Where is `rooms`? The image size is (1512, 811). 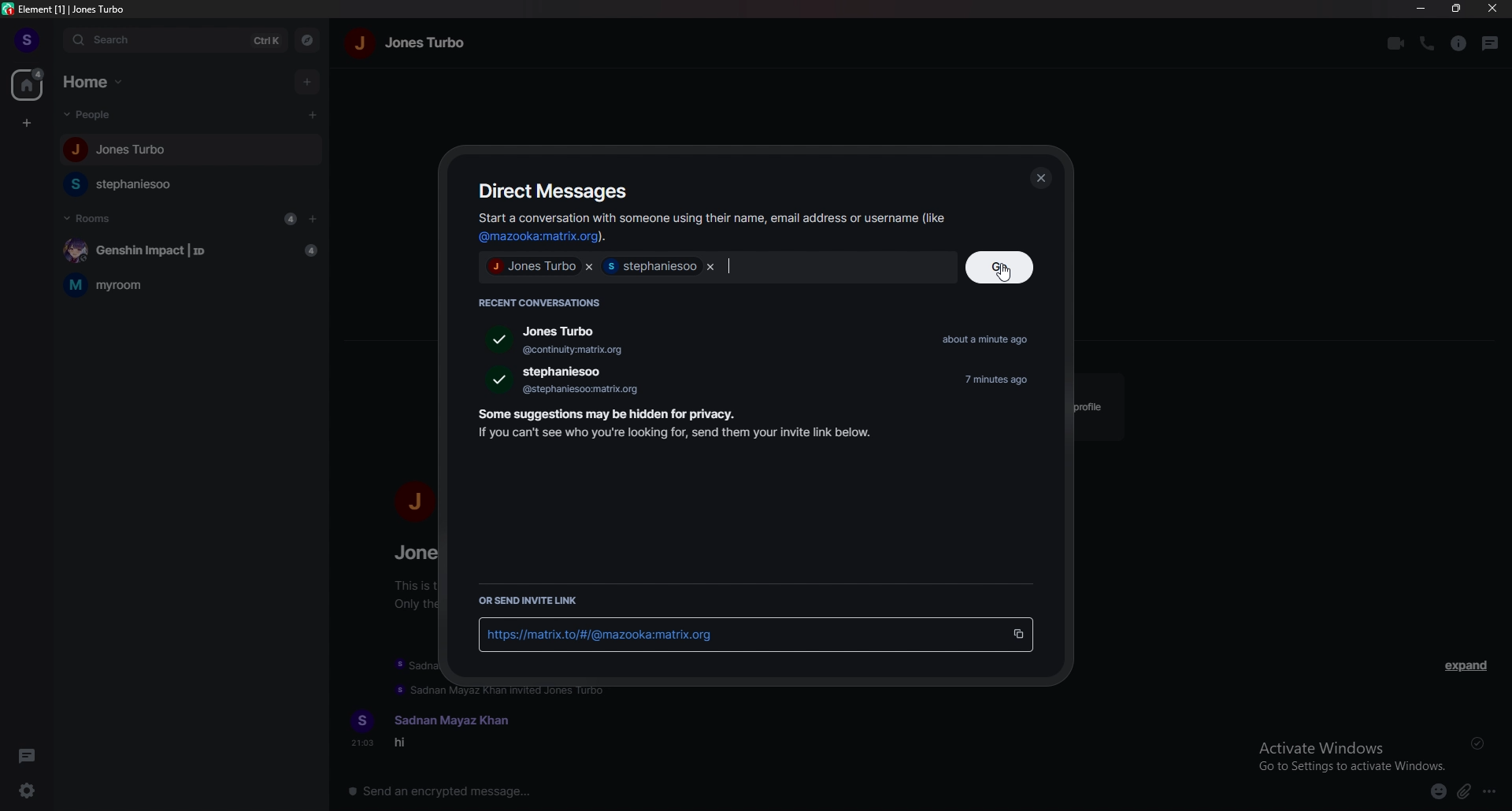
rooms is located at coordinates (89, 217).